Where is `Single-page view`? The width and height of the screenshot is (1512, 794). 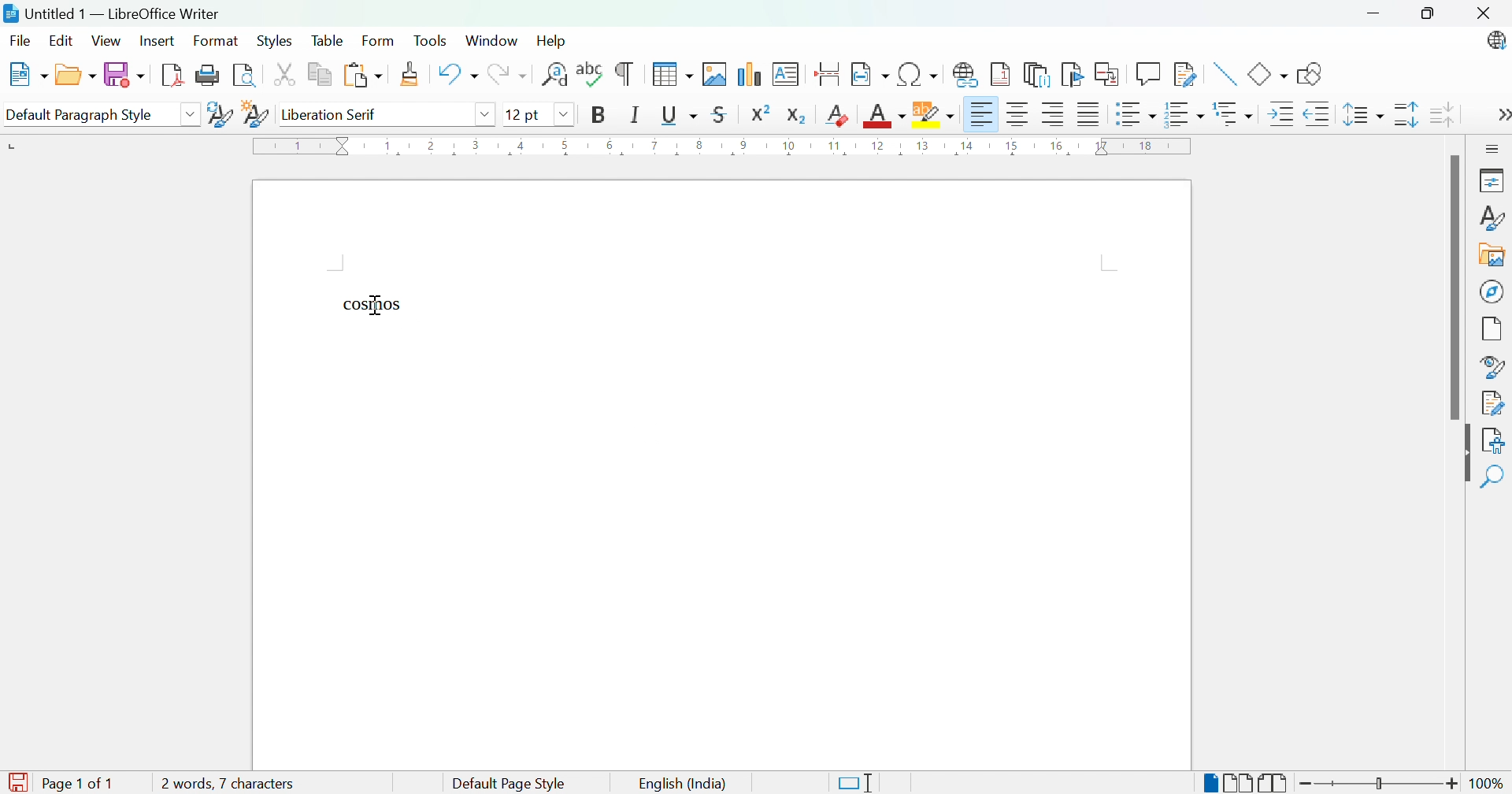
Single-page view is located at coordinates (1208, 785).